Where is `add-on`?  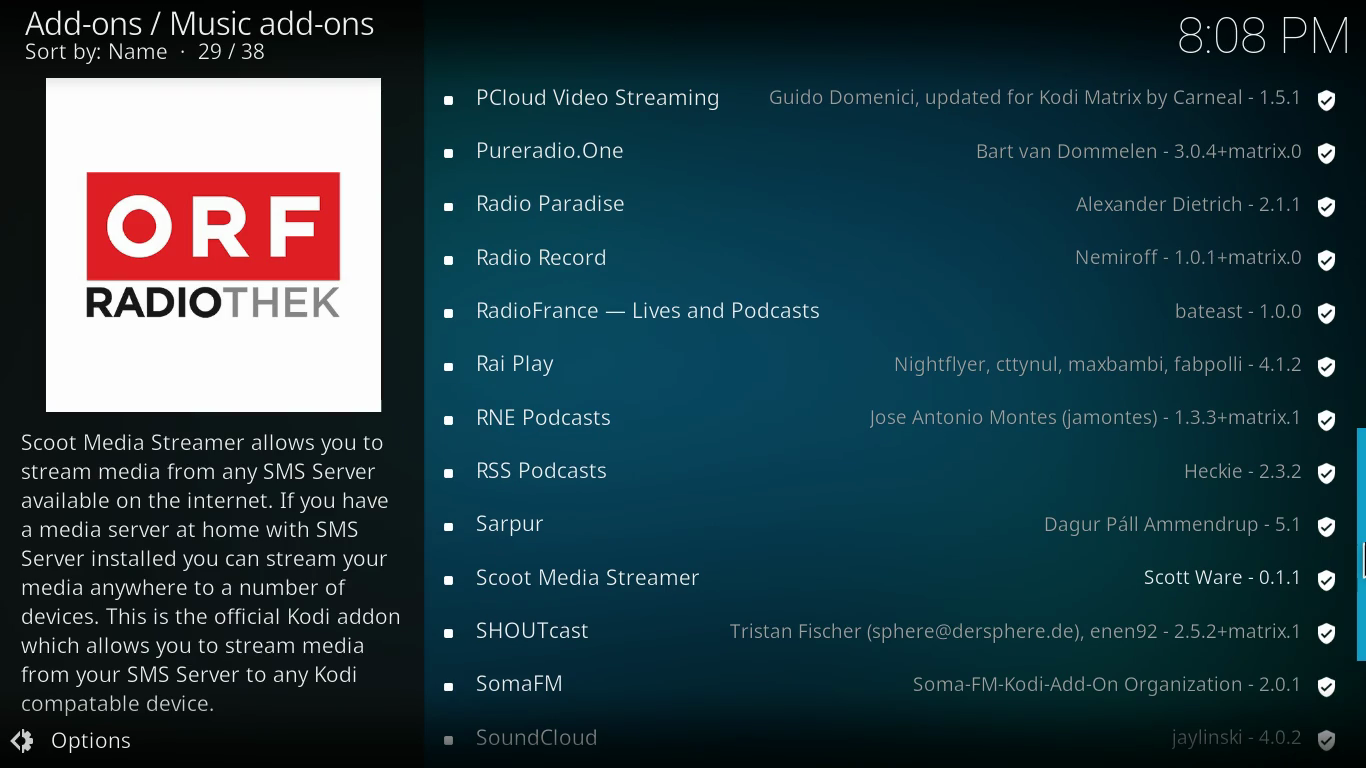
add-on is located at coordinates (576, 101).